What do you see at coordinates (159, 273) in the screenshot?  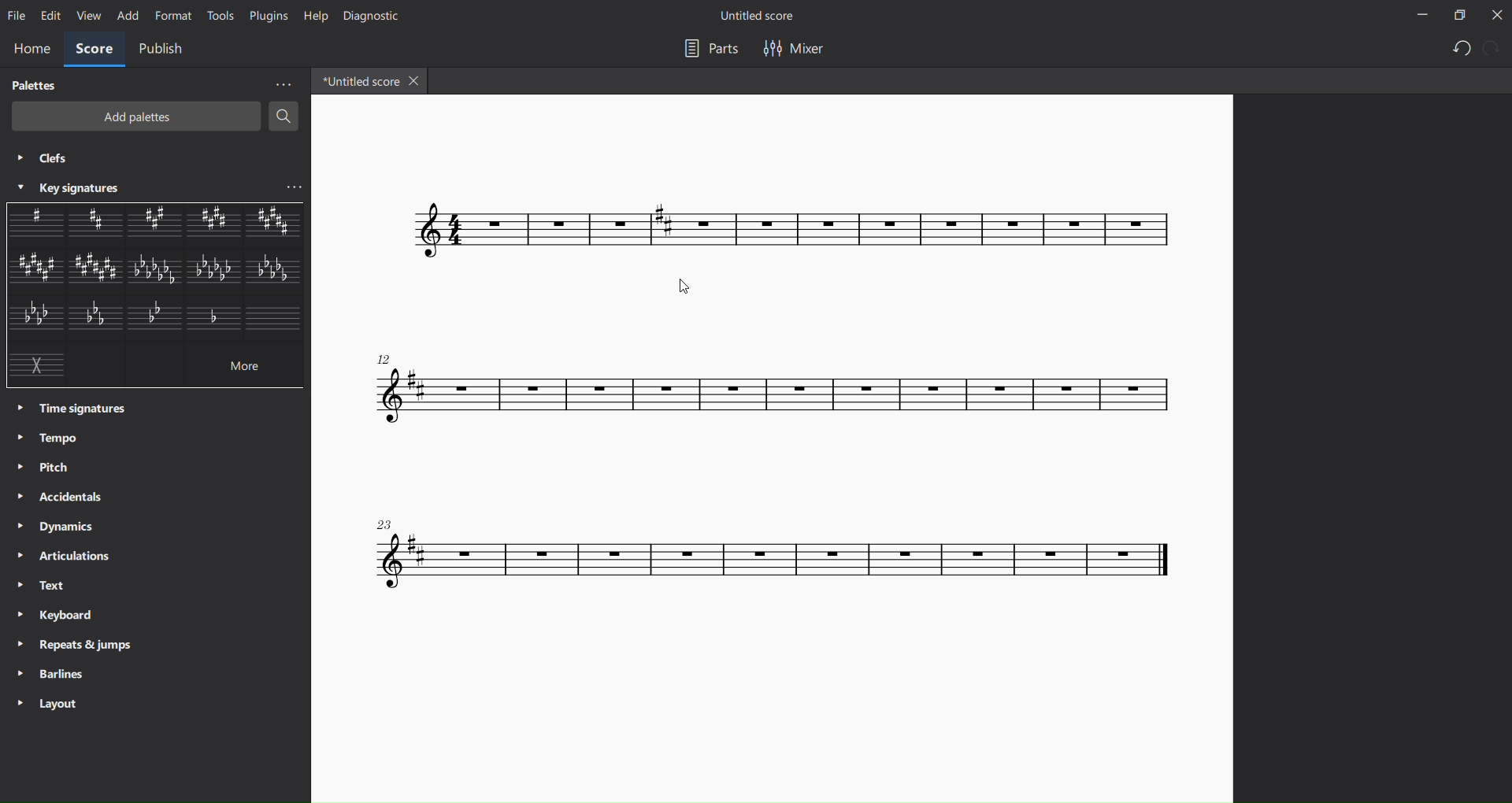 I see `other key signatures` at bounding box center [159, 273].